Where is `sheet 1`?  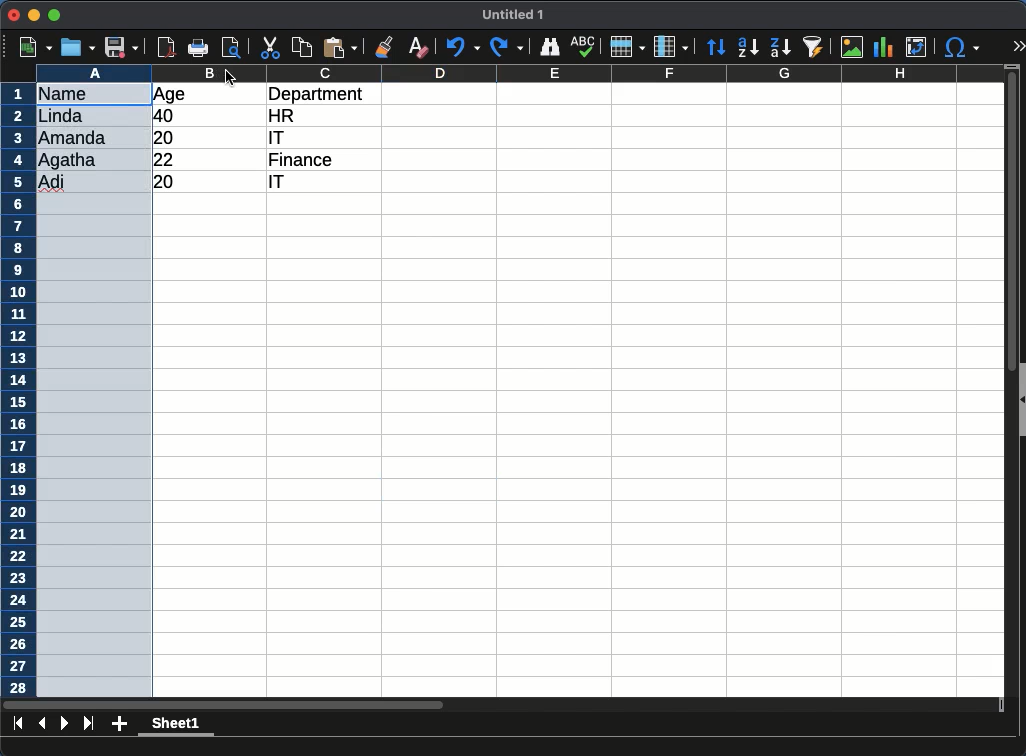
sheet 1 is located at coordinates (177, 726).